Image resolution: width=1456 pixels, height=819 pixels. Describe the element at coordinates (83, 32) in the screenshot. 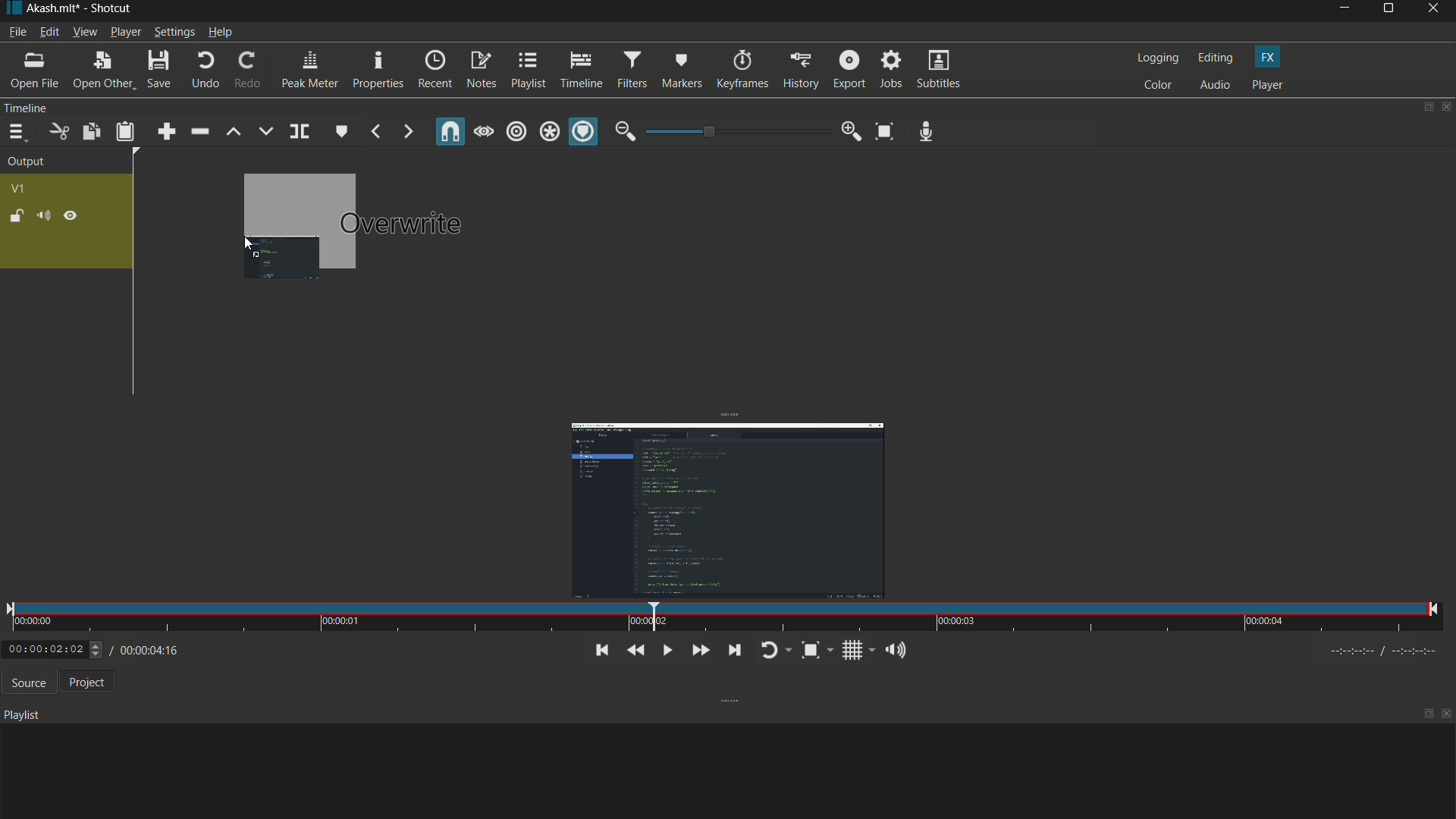

I see `view menu` at that location.